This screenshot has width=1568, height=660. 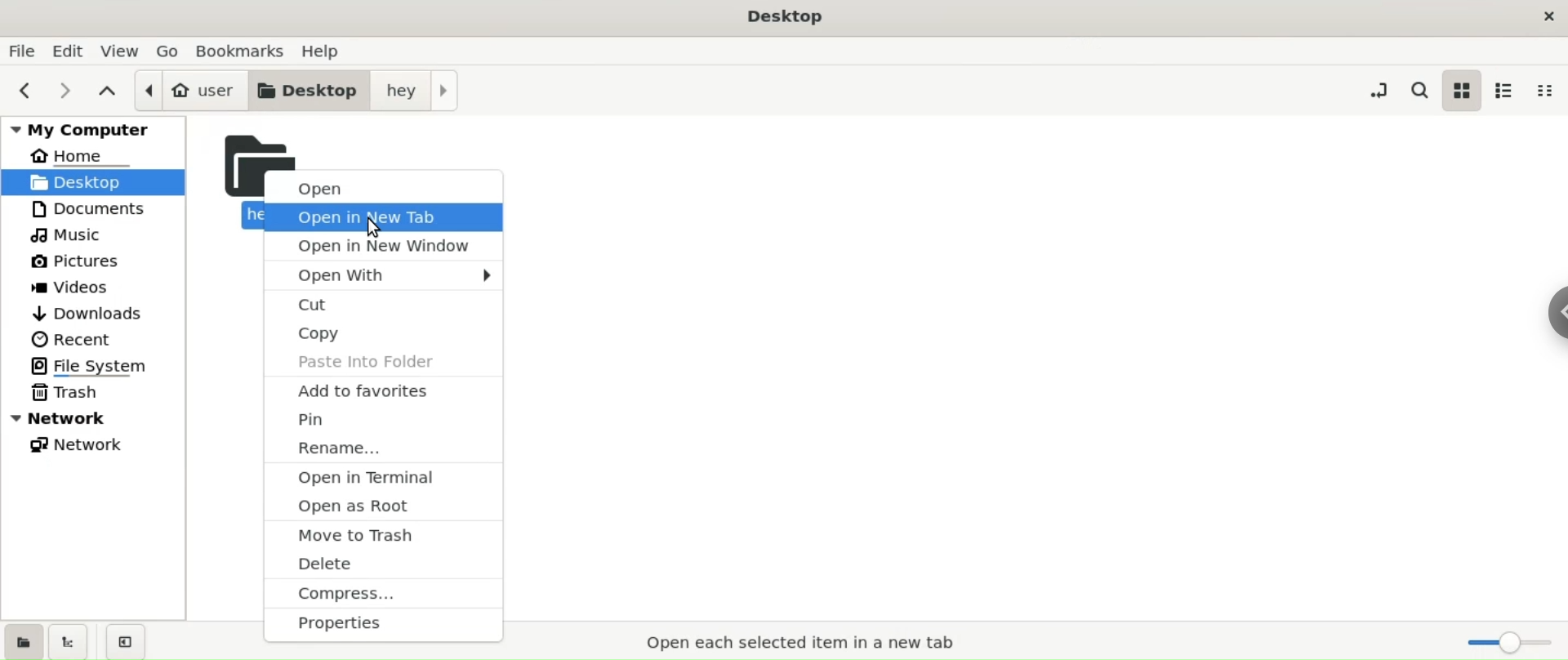 What do you see at coordinates (1419, 91) in the screenshot?
I see `search` at bounding box center [1419, 91].